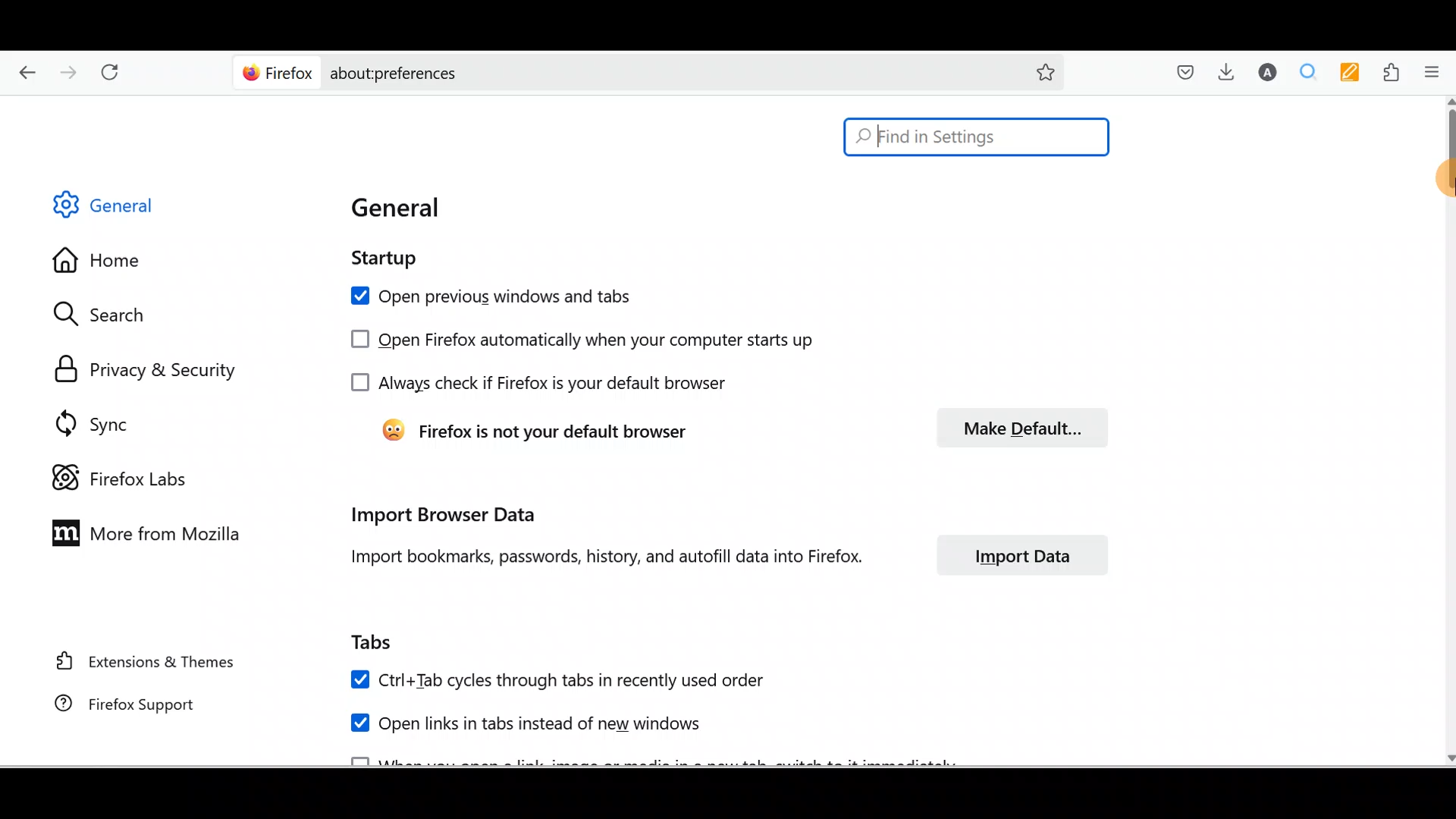 The width and height of the screenshot is (1456, 819). What do you see at coordinates (121, 705) in the screenshot?
I see `Firefox support` at bounding box center [121, 705].